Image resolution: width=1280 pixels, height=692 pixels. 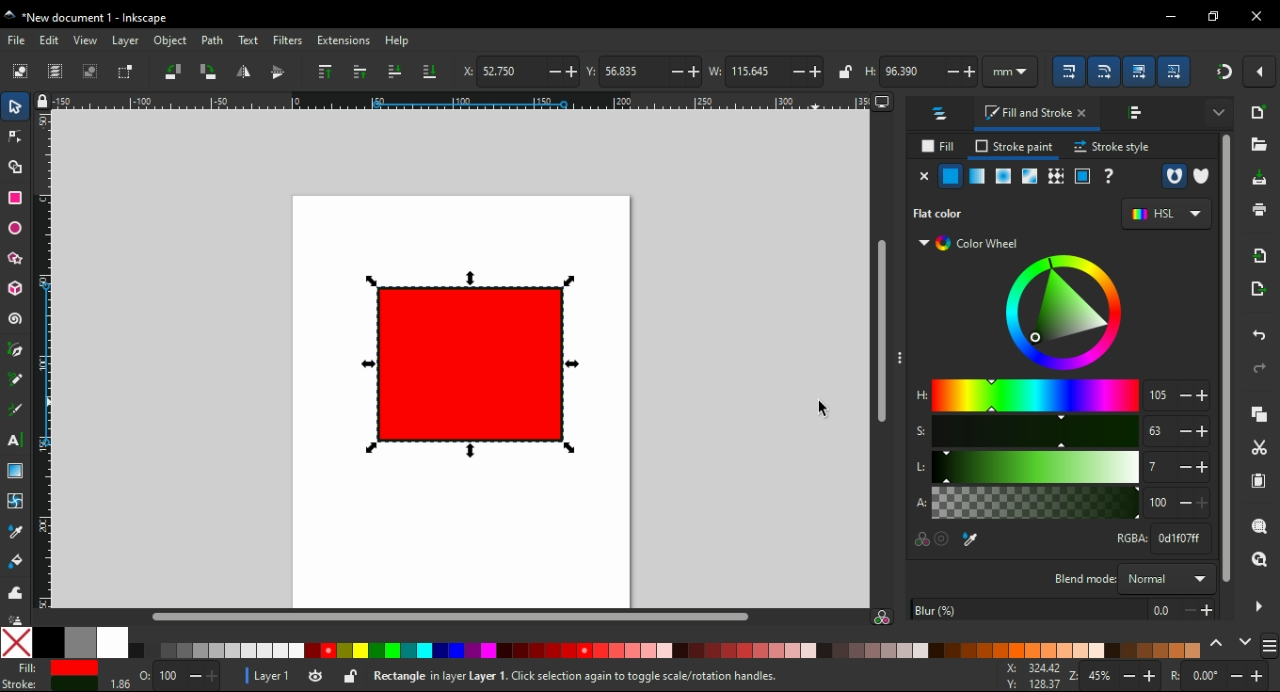 What do you see at coordinates (1057, 176) in the screenshot?
I see `pattern` at bounding box center [1057, 176].